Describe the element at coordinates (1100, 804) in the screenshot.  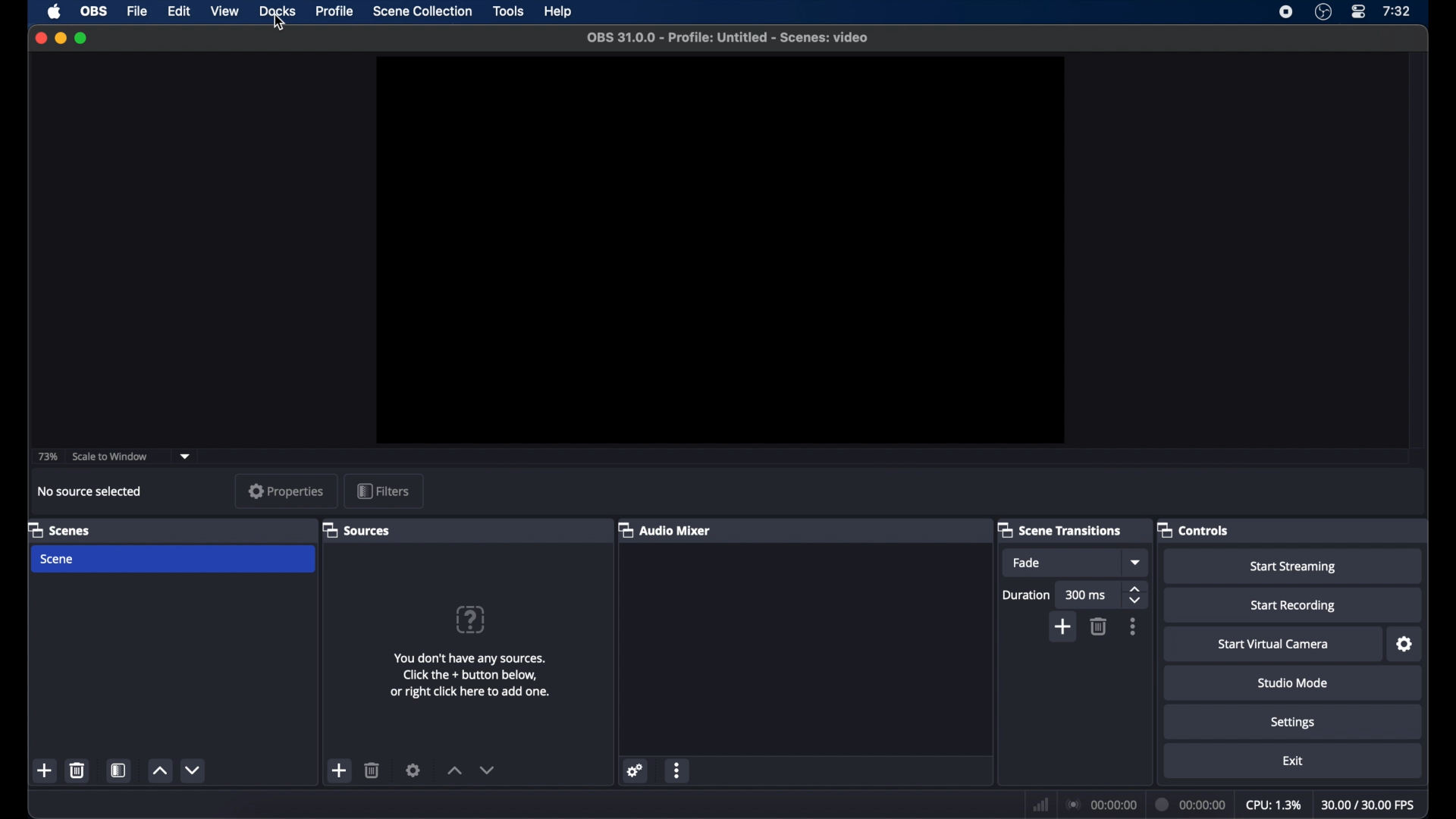
I see `00:00:00` at that location.